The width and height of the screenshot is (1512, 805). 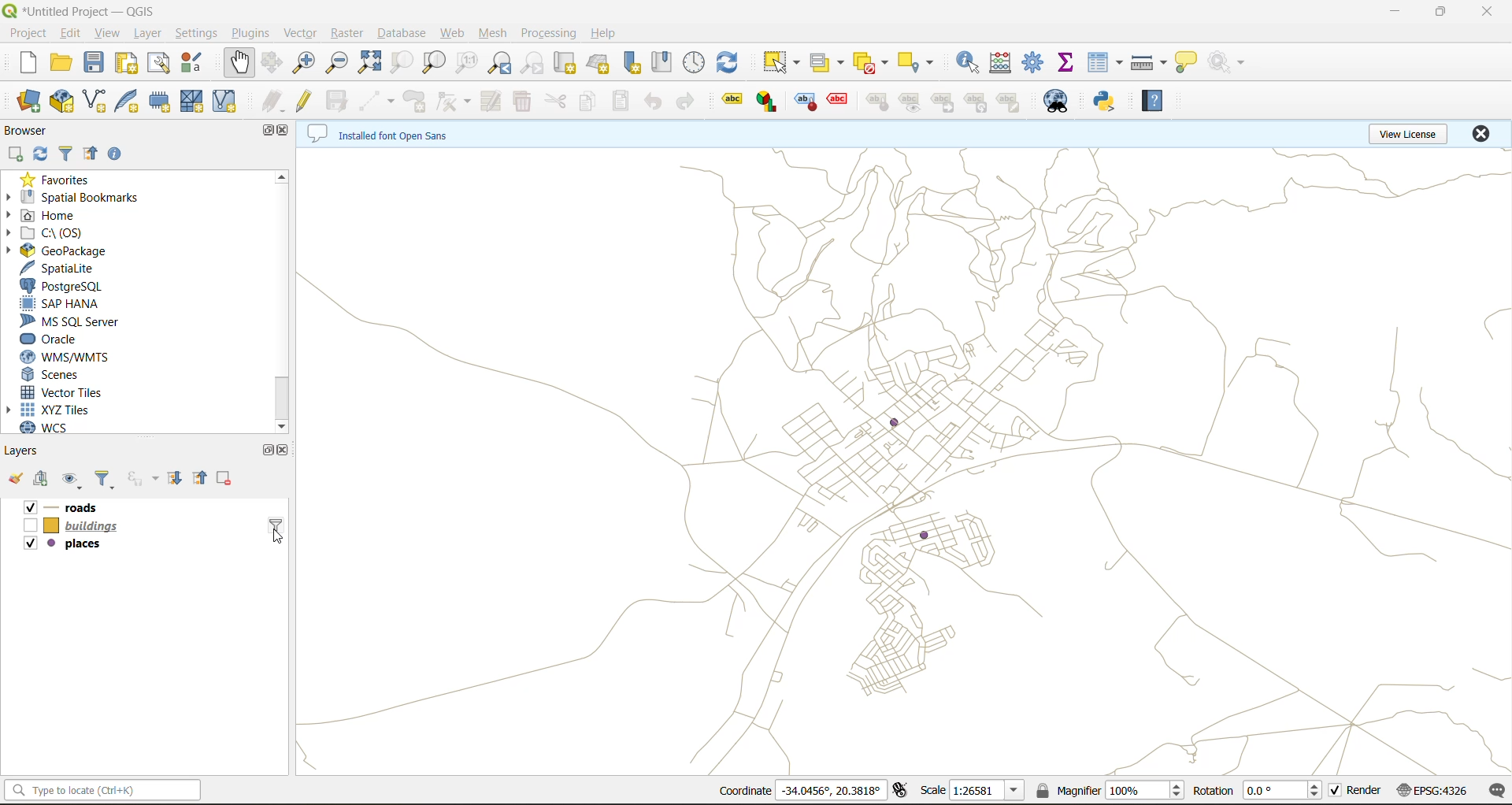 What do you see at coordinates (22, 98) in the screenshot?
I see `open datasource manager` at bounding box center [22, 98].